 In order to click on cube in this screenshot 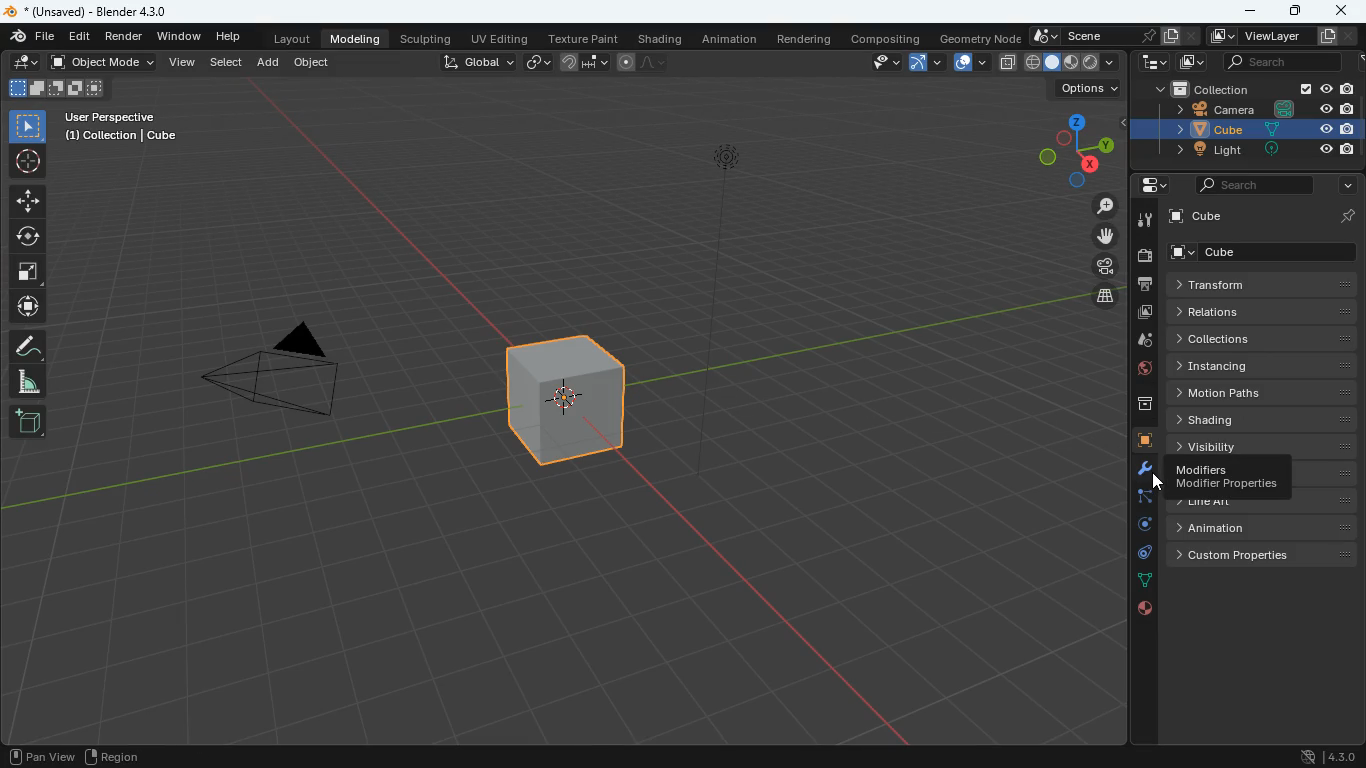, I will do `click(573, 399)`.